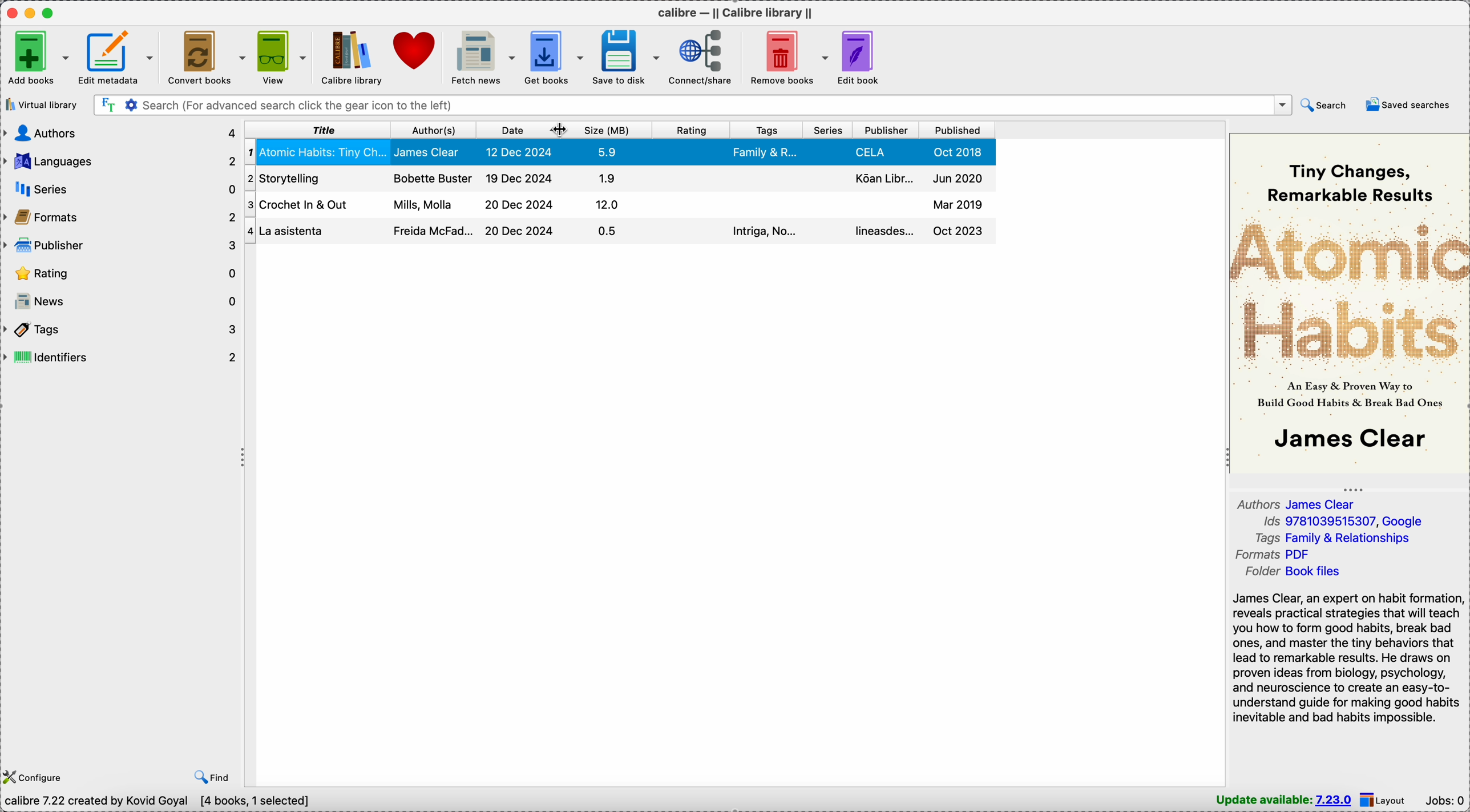 The width and height of the screenshot is (1470, 812). I want to click on Calibre 7.22 created by Kovid Goyal [4 books, 1 selected], so click(161, 802).